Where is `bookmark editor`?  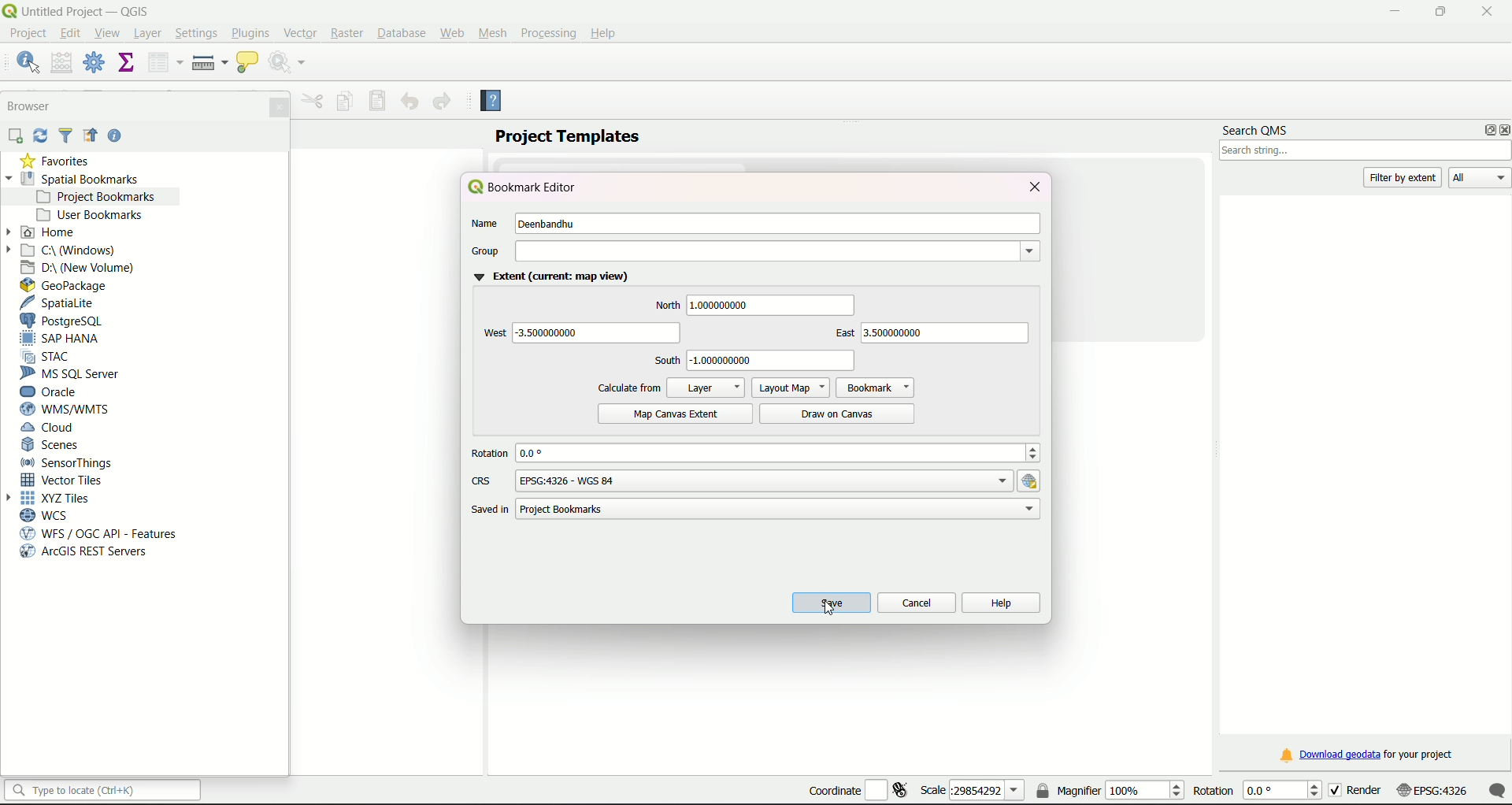
bookmark editor is located at coordinates (524, 187).